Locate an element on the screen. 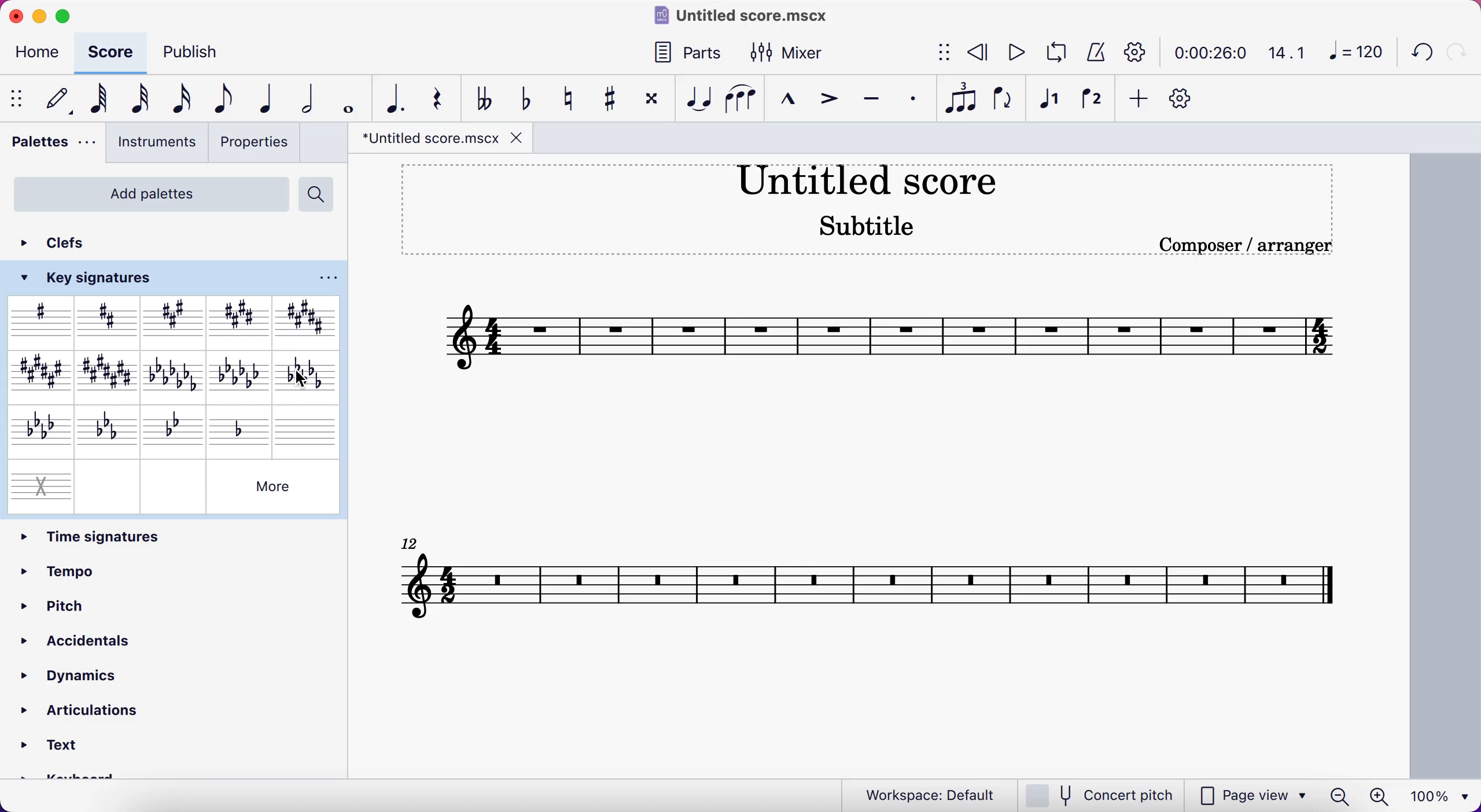 The width and height of the screenshot is (1481, 812). cursor is located at coordinates (306, 377).